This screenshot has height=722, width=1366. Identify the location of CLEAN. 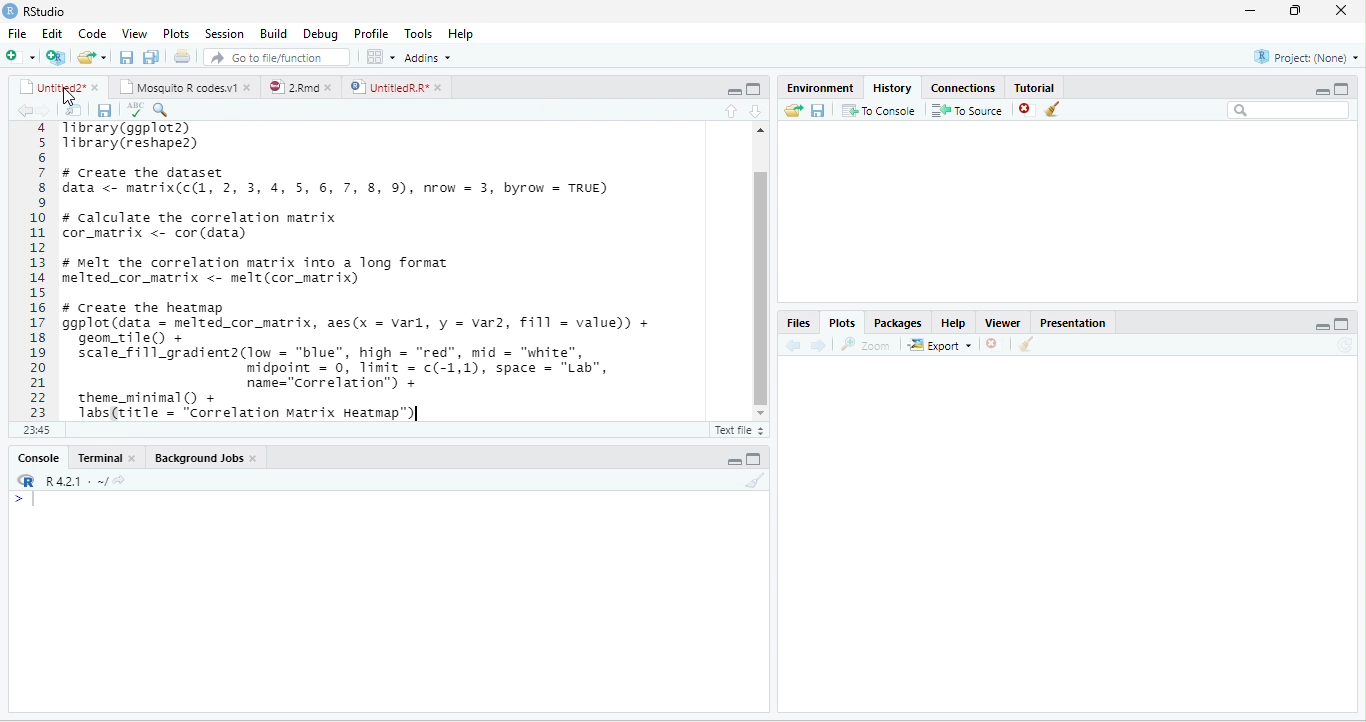
(1028, 346).